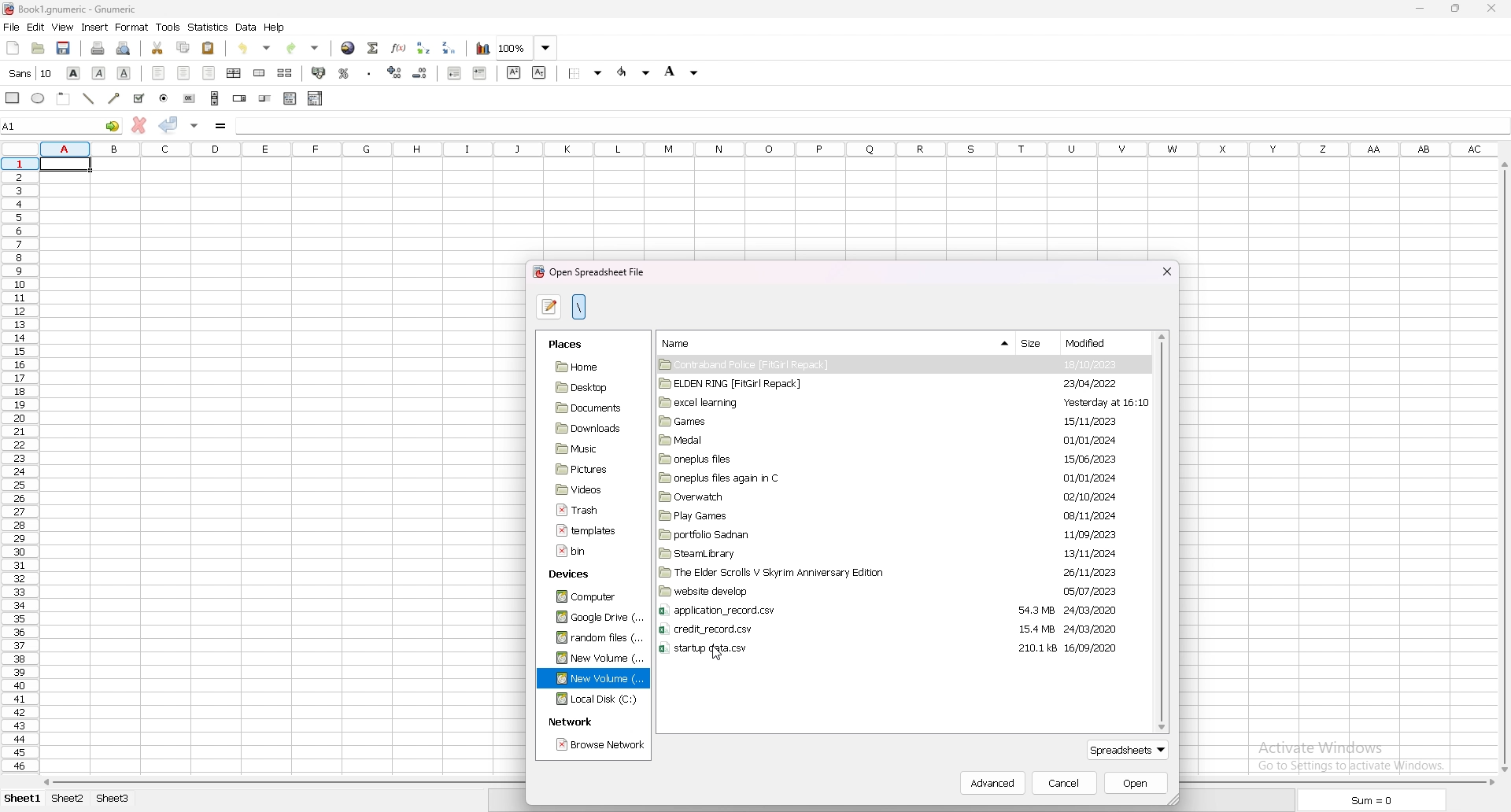 The height and width of the screenshot is (812, 1511). I want to click on open spreadsheet file, so click(590, 272).